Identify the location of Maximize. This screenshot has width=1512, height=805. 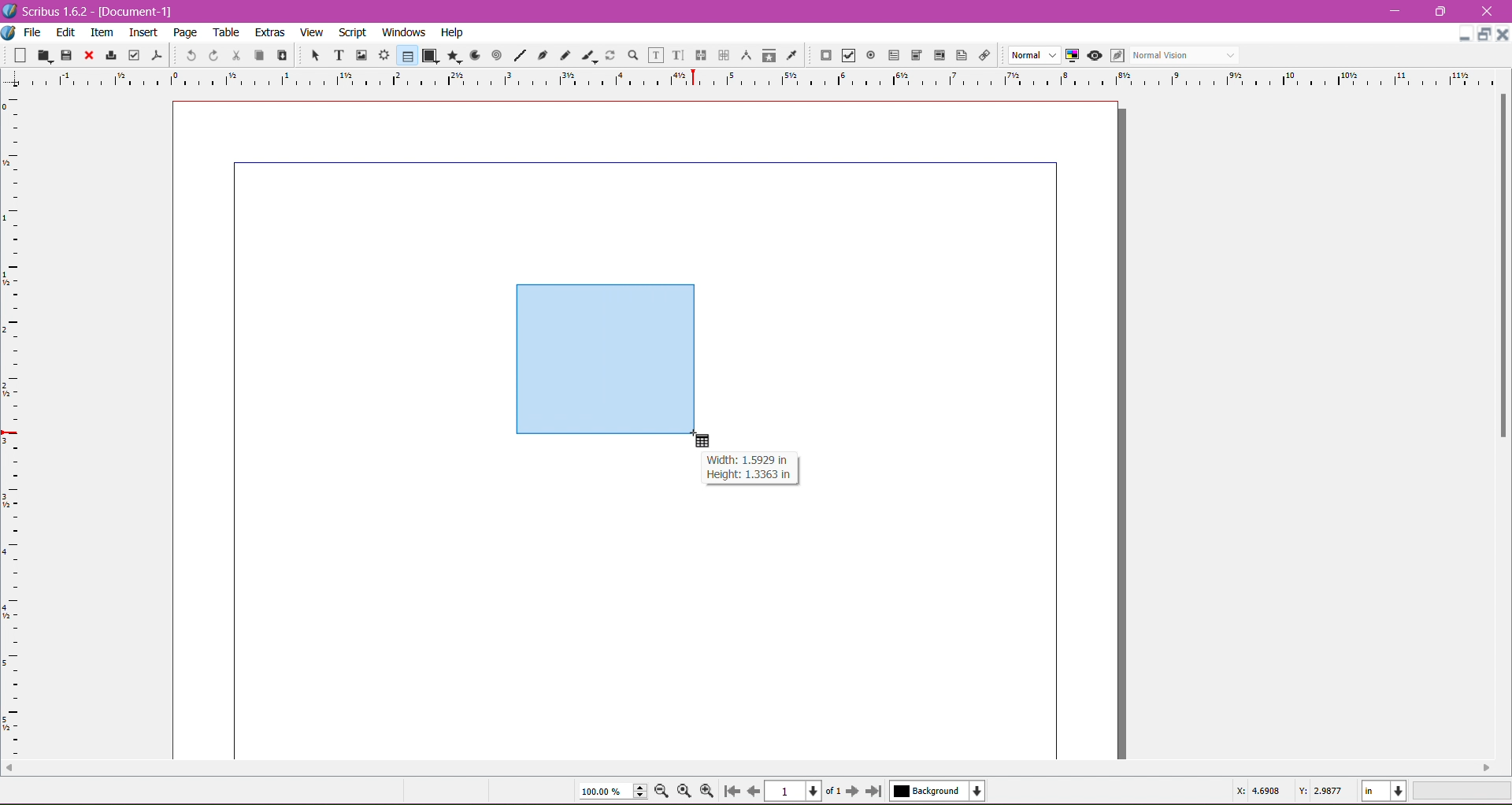
(1485, 35).